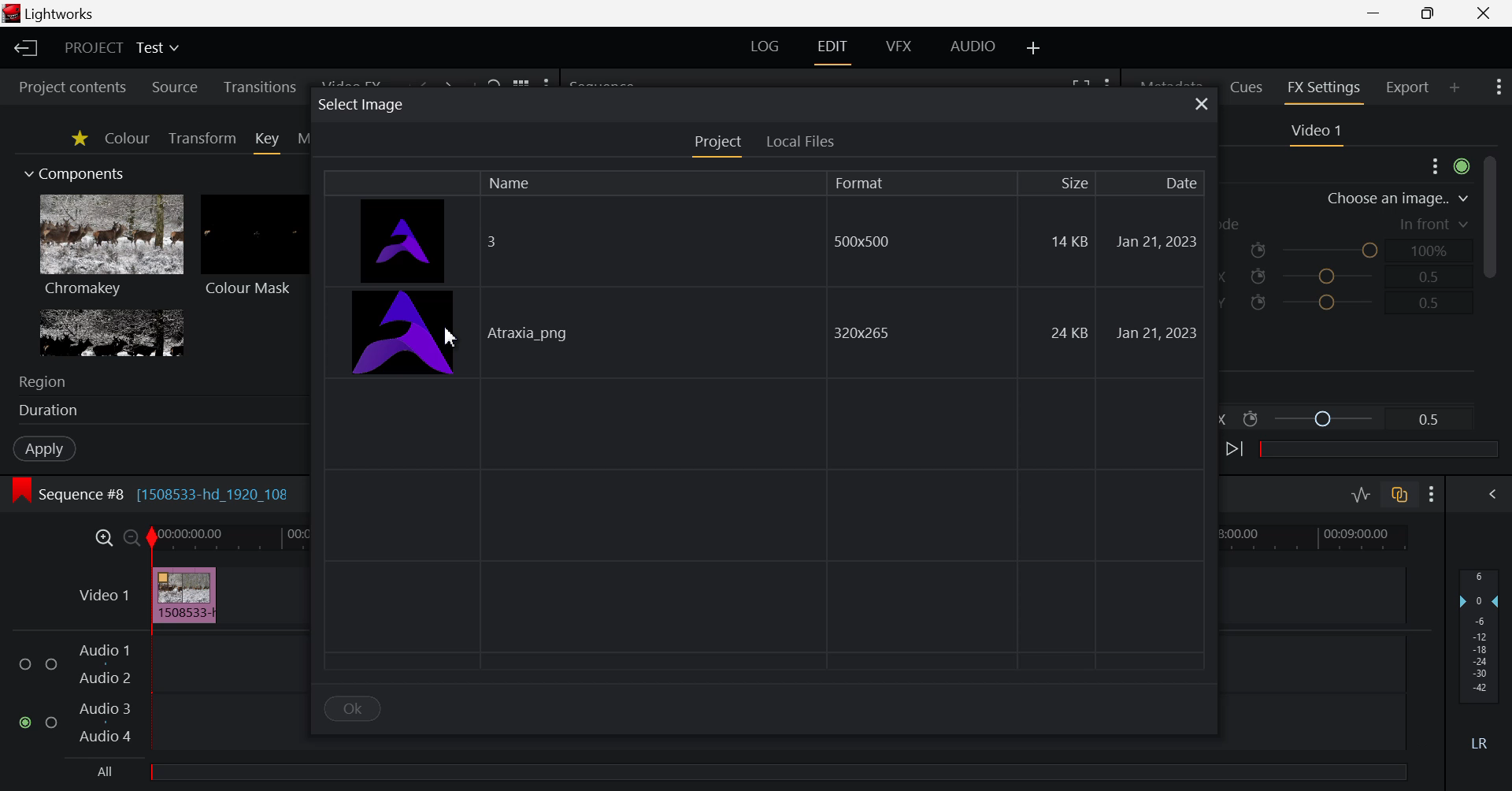 This screenshot has width=1512, height=791. I want to click on region, so click(55, 377).